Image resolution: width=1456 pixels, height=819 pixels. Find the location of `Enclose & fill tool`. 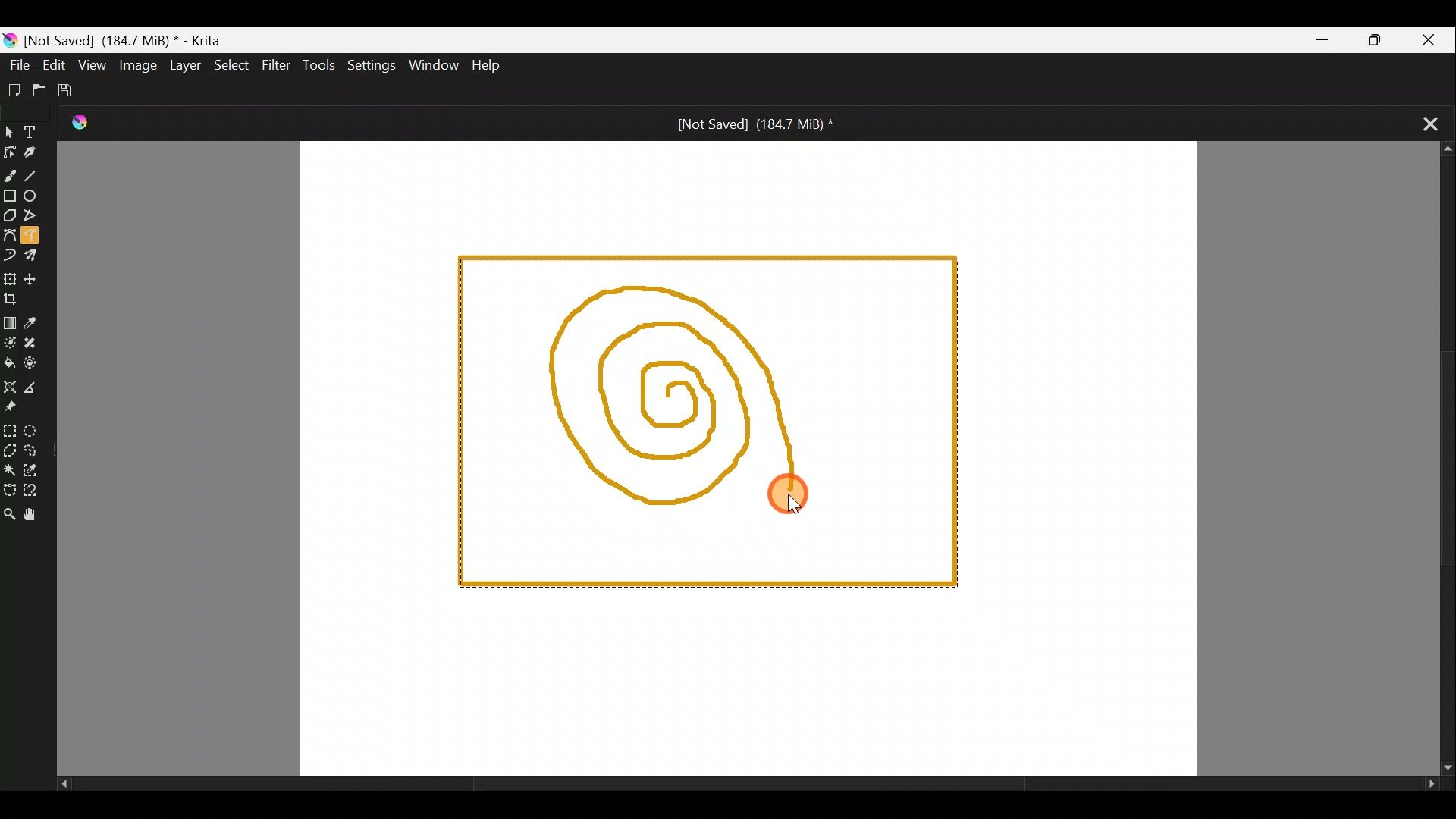

Enclose & fill tool is located at coordinates (33, 366).